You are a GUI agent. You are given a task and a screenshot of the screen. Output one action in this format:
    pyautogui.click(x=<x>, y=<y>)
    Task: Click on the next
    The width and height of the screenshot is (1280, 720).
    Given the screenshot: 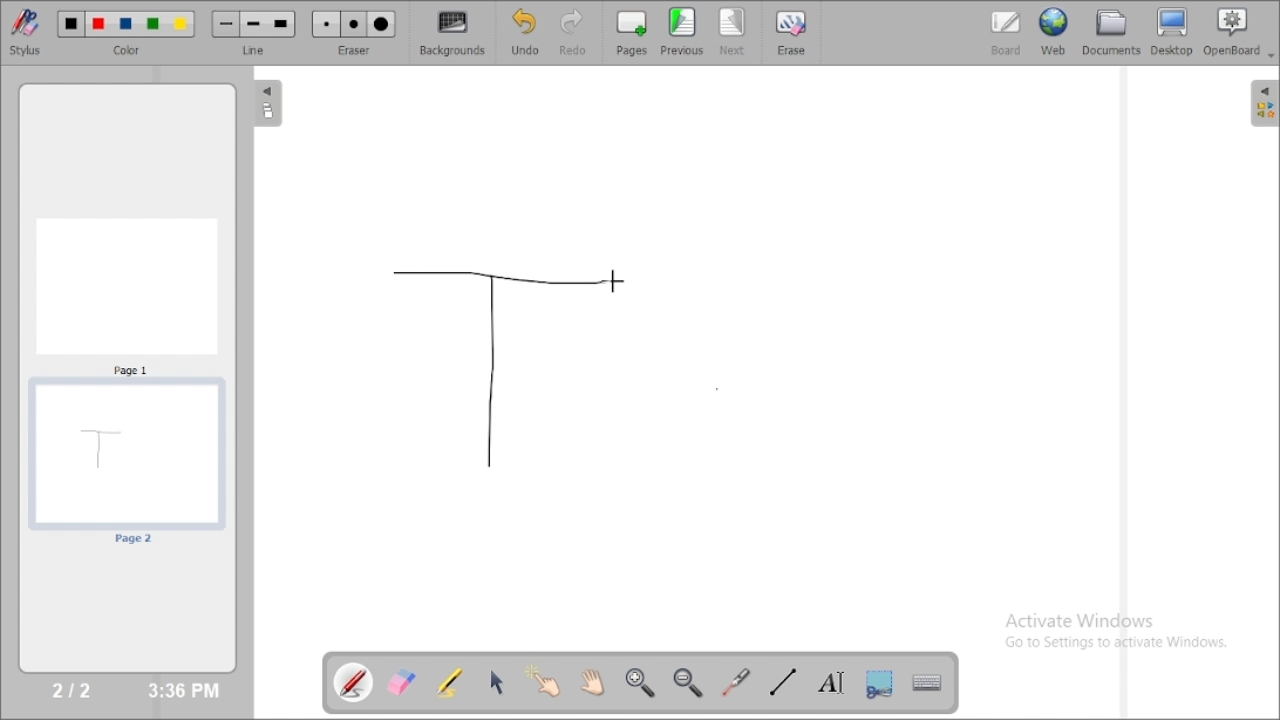 What is the action you would take?
    pyautogui.click(x=733, y=32)
    